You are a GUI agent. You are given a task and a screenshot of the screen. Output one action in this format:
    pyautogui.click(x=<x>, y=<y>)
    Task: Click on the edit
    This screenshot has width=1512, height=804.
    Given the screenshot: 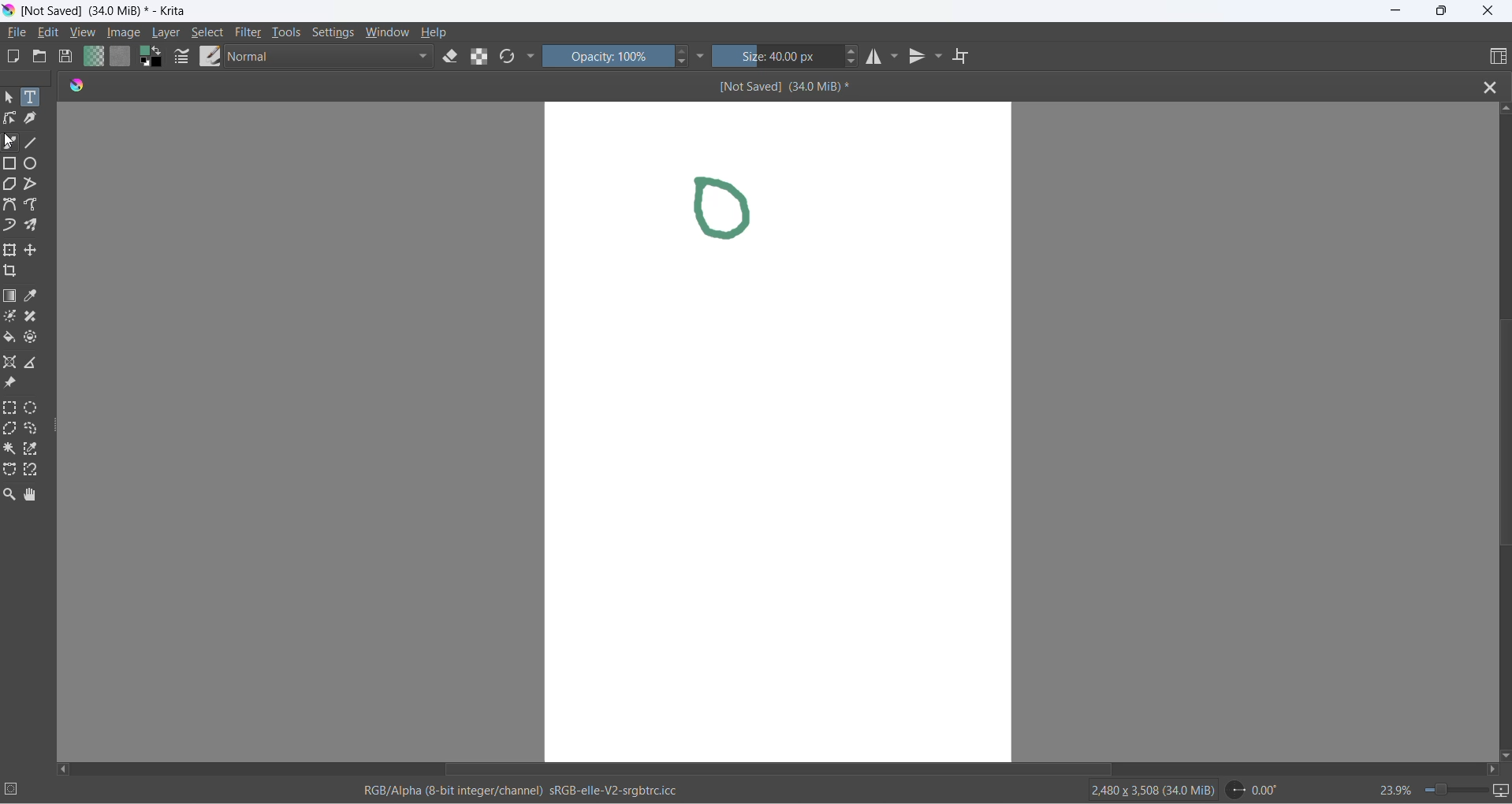 What is the action you would take?
    pyautogui.click(x=50, y=32)
    